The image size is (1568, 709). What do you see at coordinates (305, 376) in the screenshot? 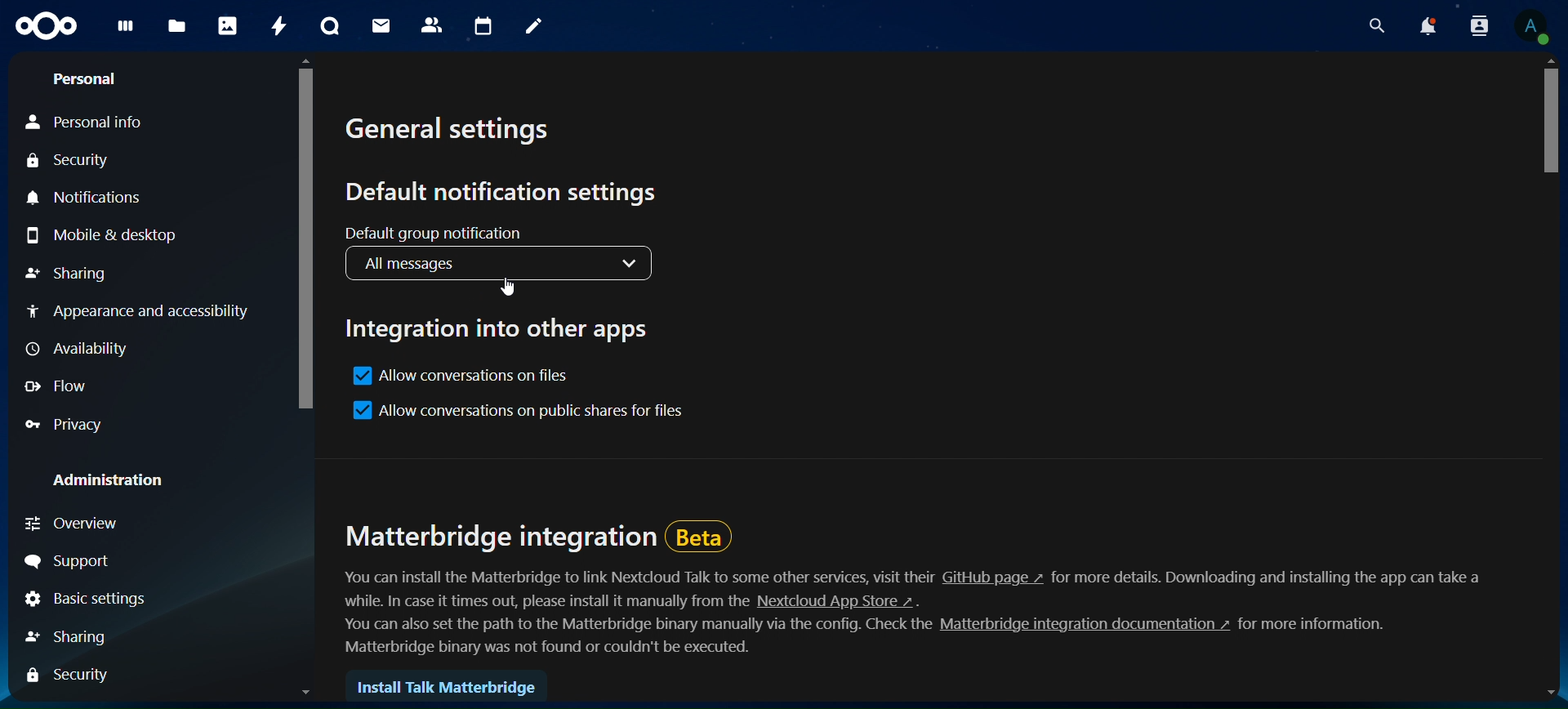
I see `scroll bar` at bounding box center [305, 376].